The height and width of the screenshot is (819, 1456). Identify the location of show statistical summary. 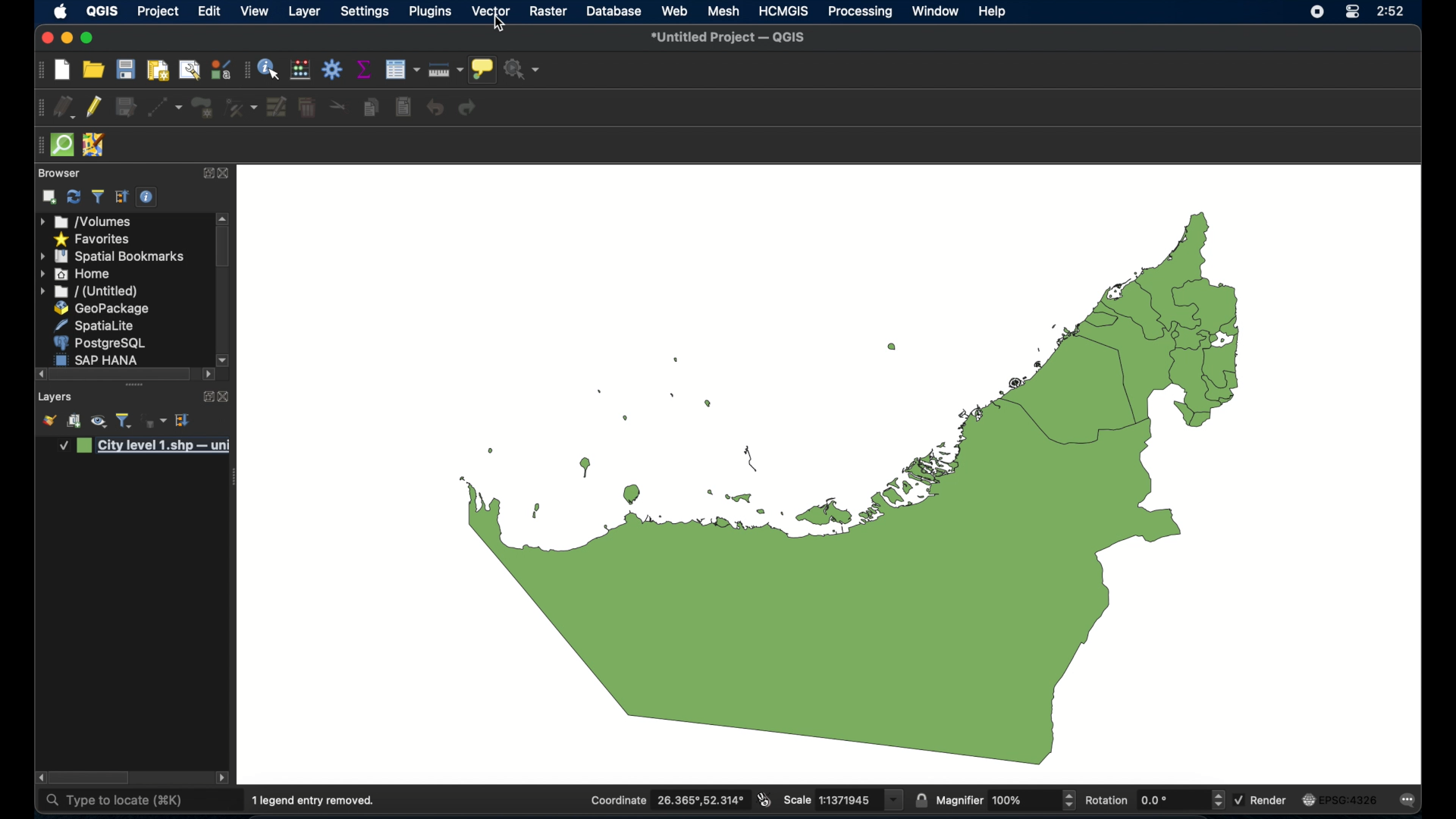
(365, 70).